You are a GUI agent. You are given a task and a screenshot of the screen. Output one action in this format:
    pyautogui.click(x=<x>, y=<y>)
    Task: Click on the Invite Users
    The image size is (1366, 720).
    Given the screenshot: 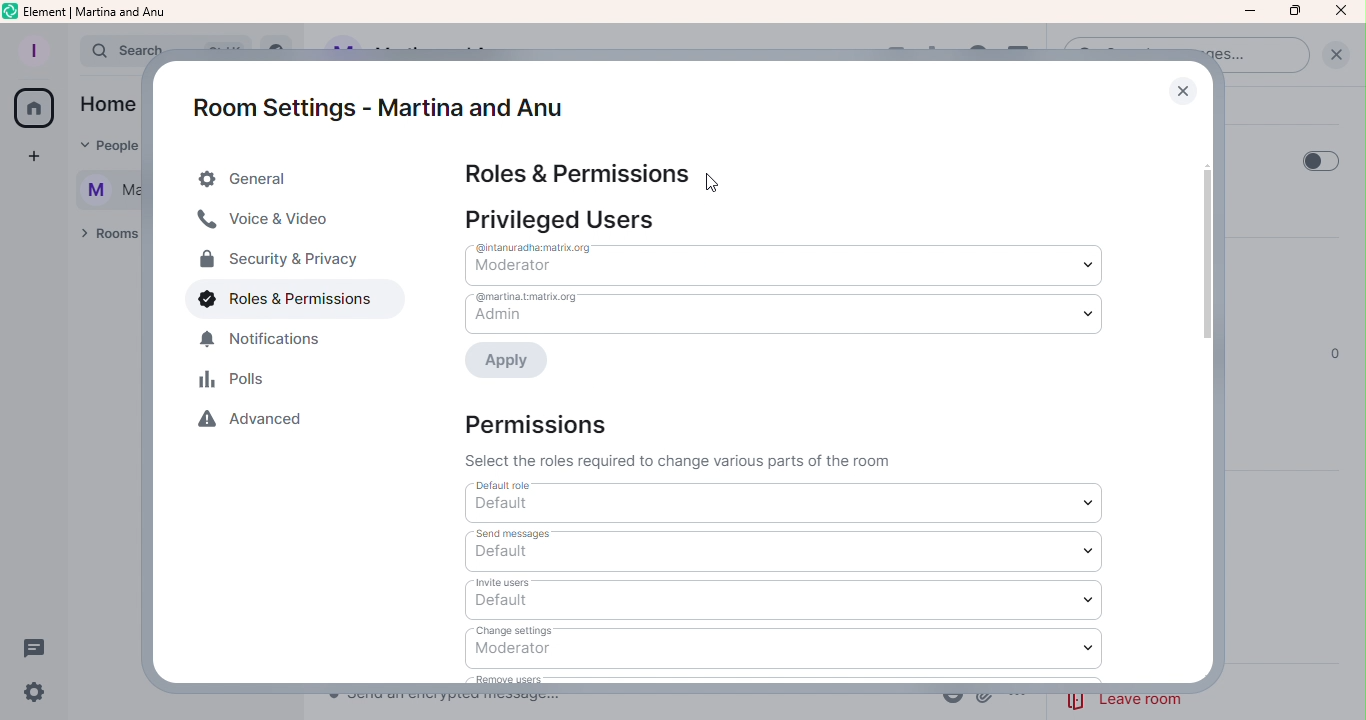 What is the action you would take?
    pyautogui.click(x=785, y=598)
    